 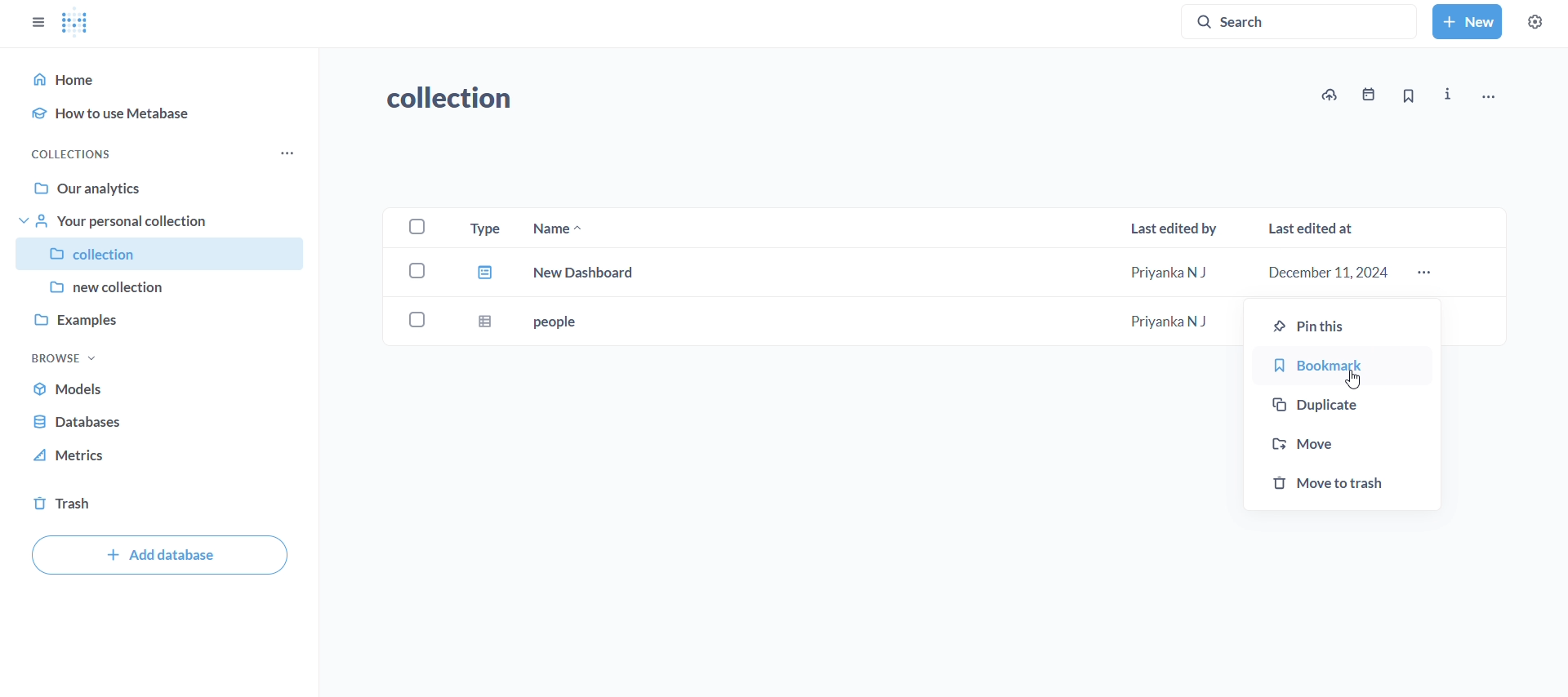 What do you see at coordinates (159, 557) in the screenshot?
I see `add database` at bounding box center [159, 557].